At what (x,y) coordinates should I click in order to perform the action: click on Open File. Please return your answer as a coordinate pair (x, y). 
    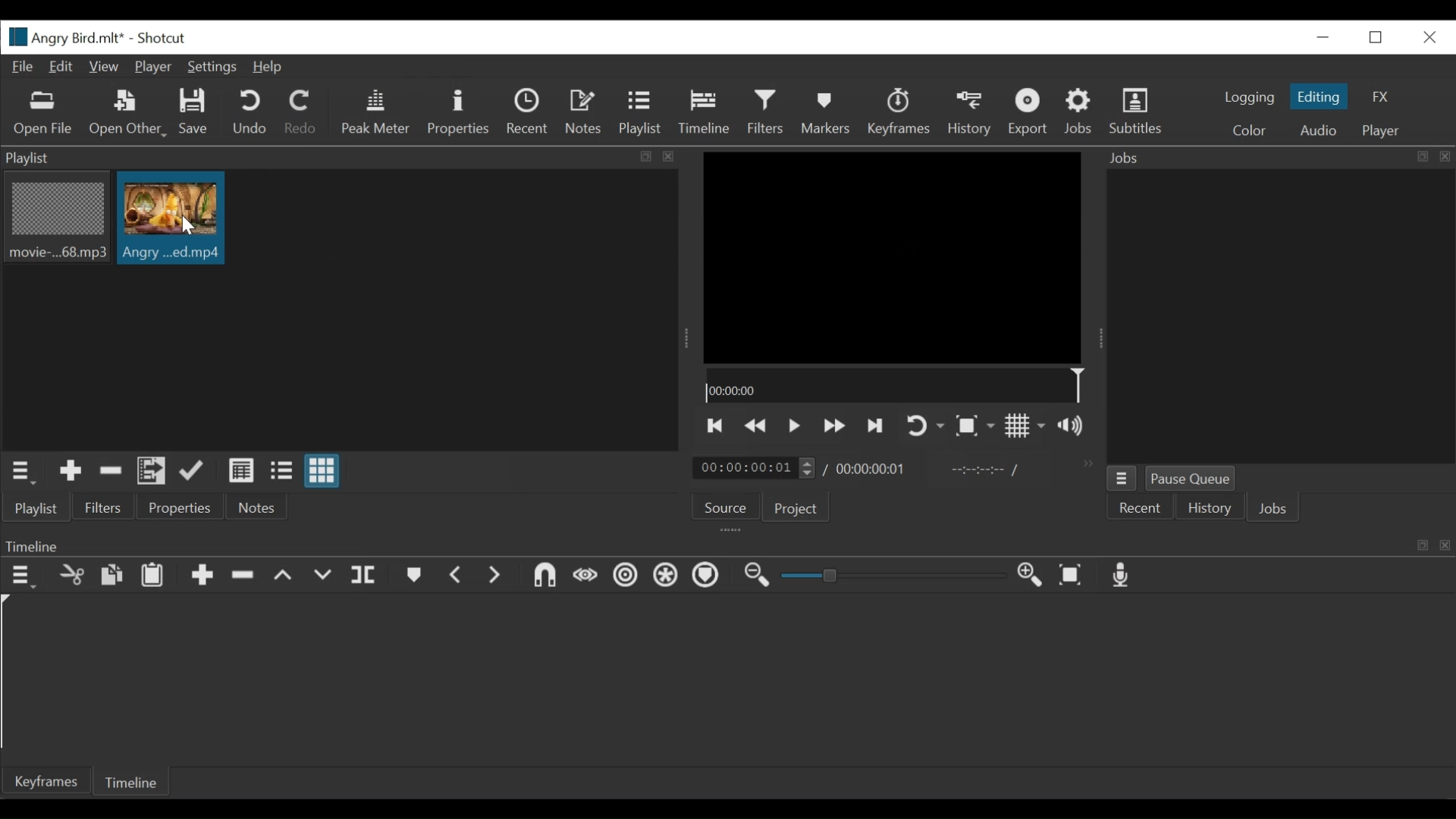
    Looking at the image, I should click on (43, 115).